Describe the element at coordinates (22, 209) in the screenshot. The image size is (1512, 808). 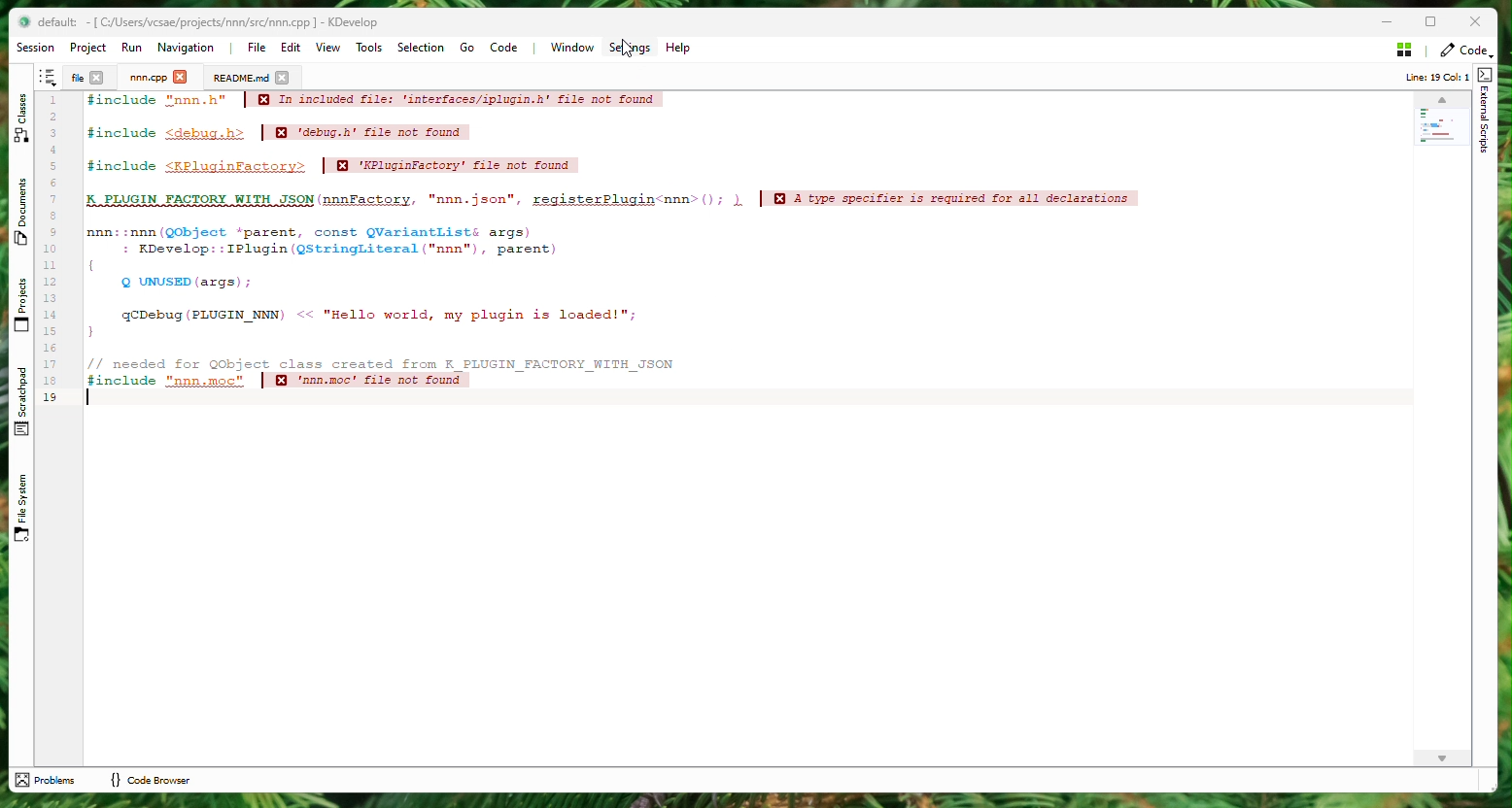
I see `Documents` at that location.